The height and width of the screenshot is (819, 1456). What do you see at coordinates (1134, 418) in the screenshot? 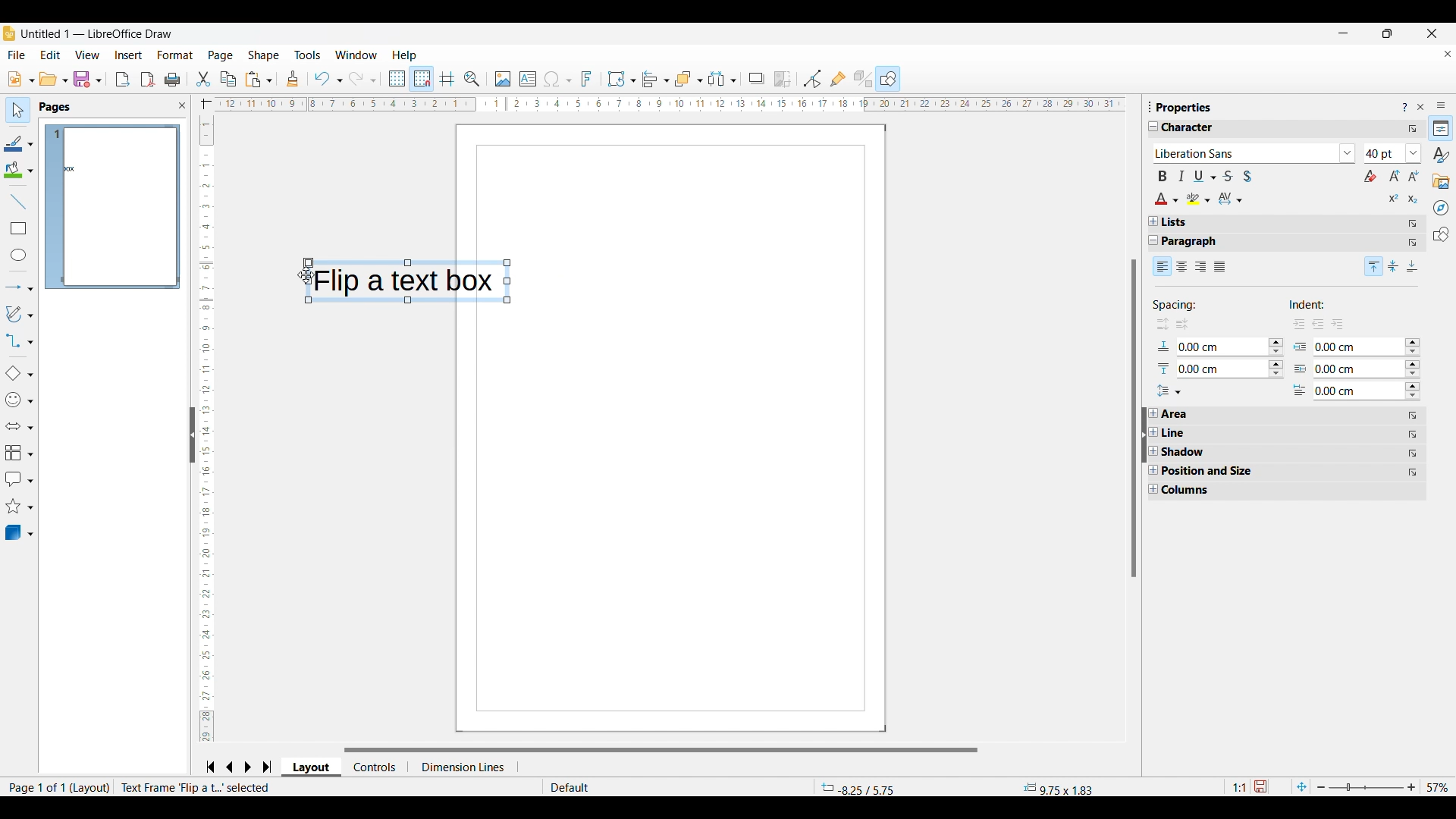
I see `Vertical slider` at bounding box center [1134, 418].